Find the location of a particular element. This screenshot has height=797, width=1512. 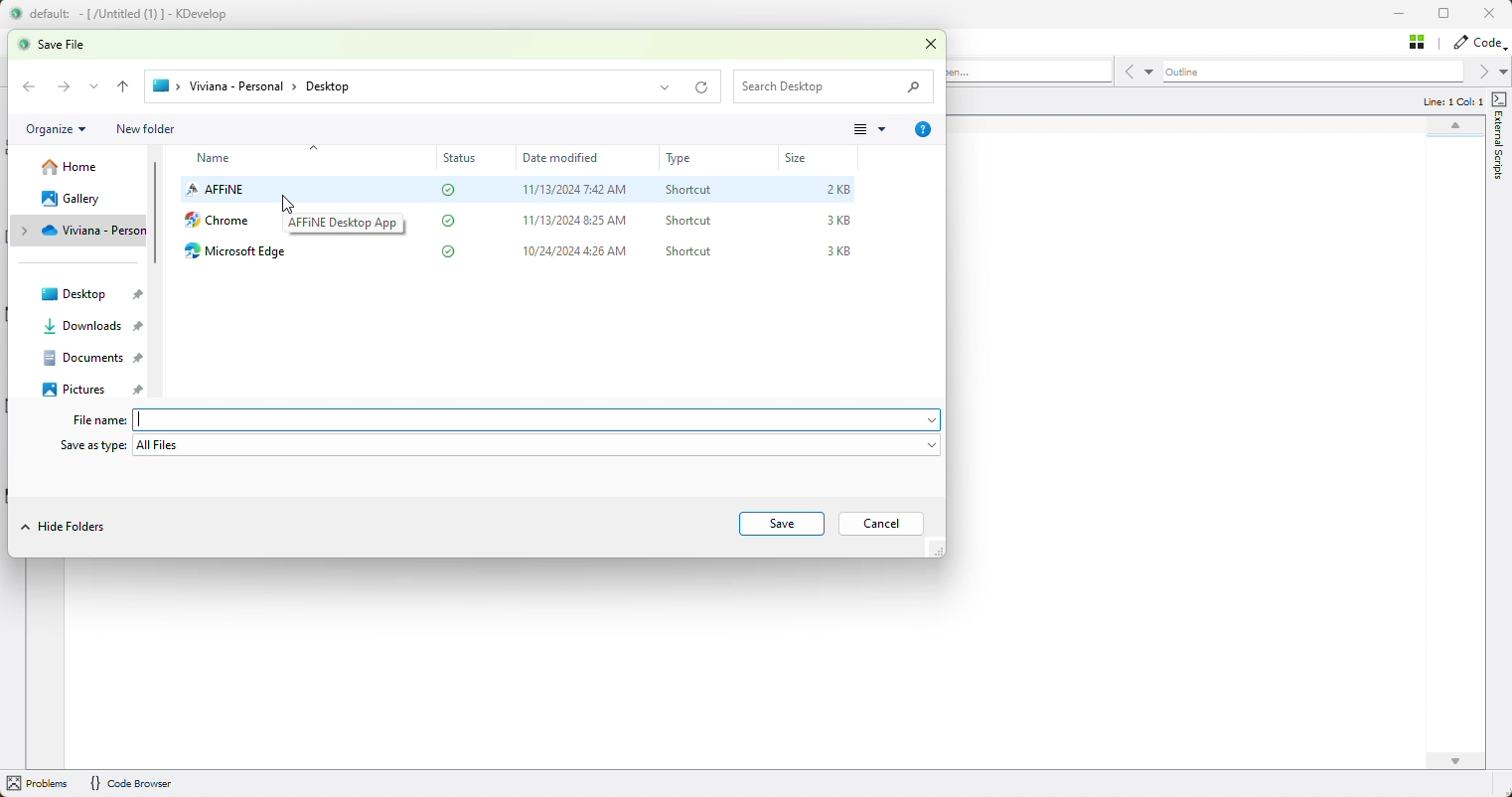

date modified is located at coordinates (574, 157).